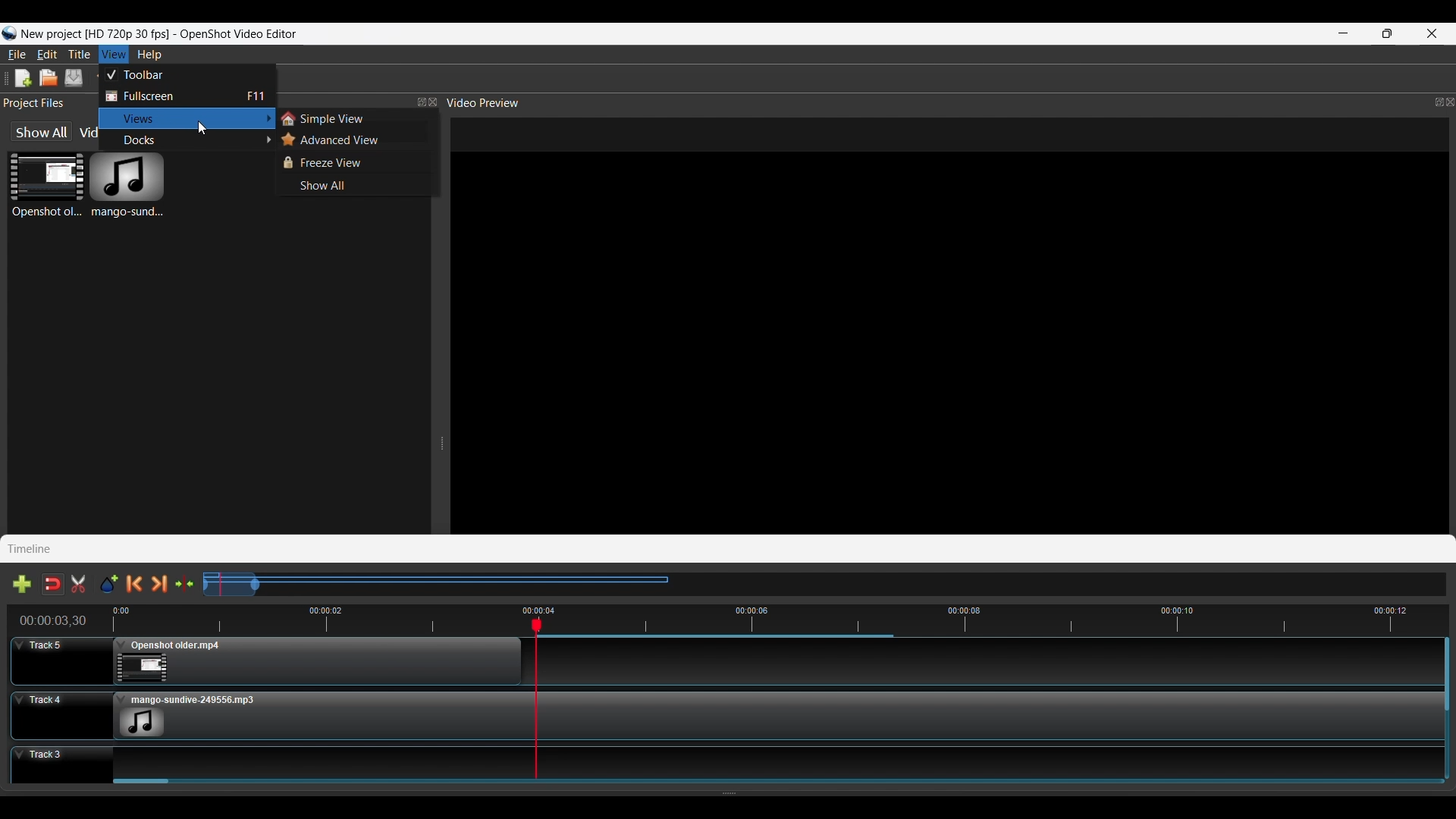  I want to click on Video File, so click(46, 185).